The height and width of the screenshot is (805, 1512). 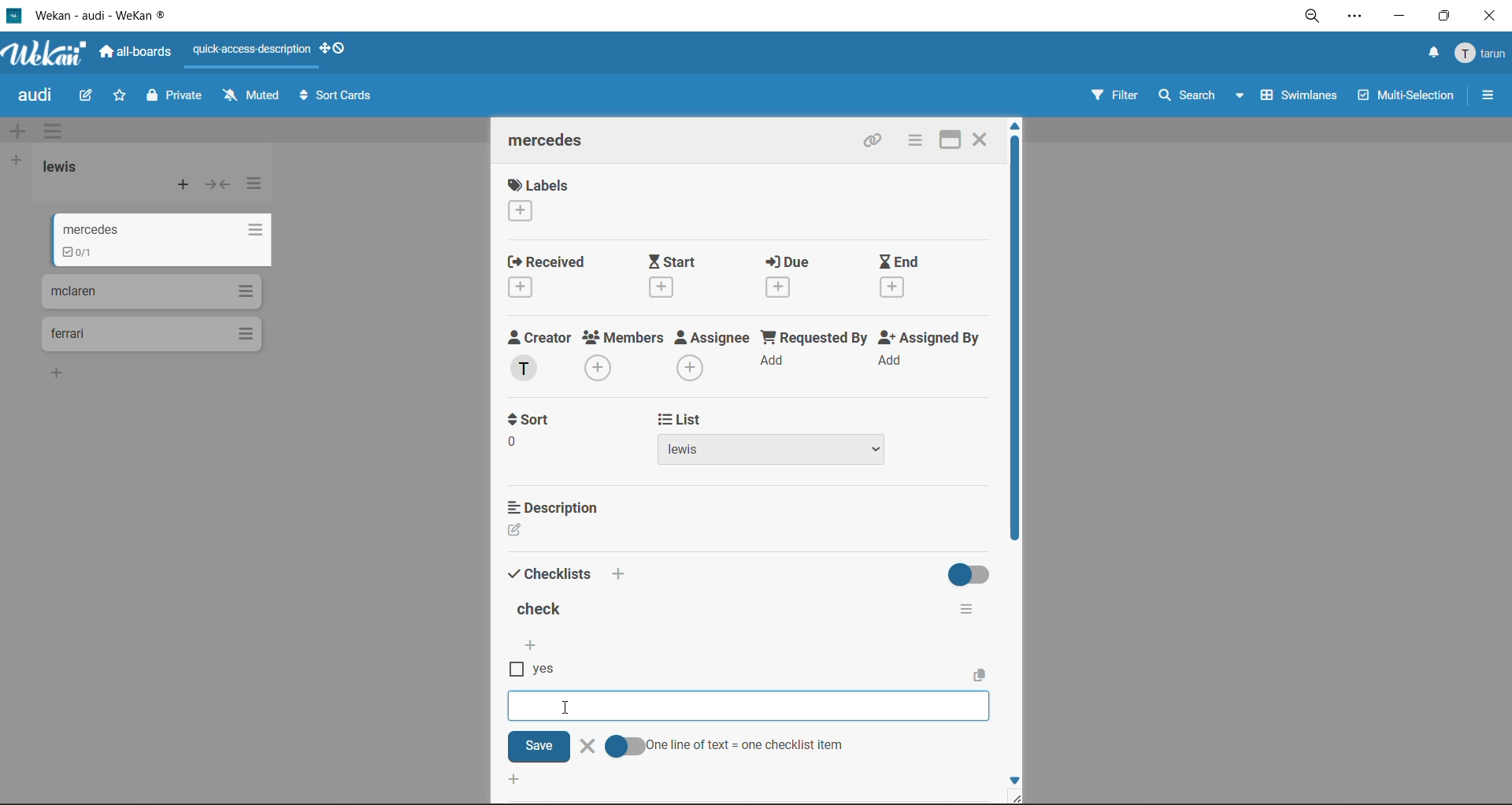 I want to click on cursor, so click(x=565, y=707).